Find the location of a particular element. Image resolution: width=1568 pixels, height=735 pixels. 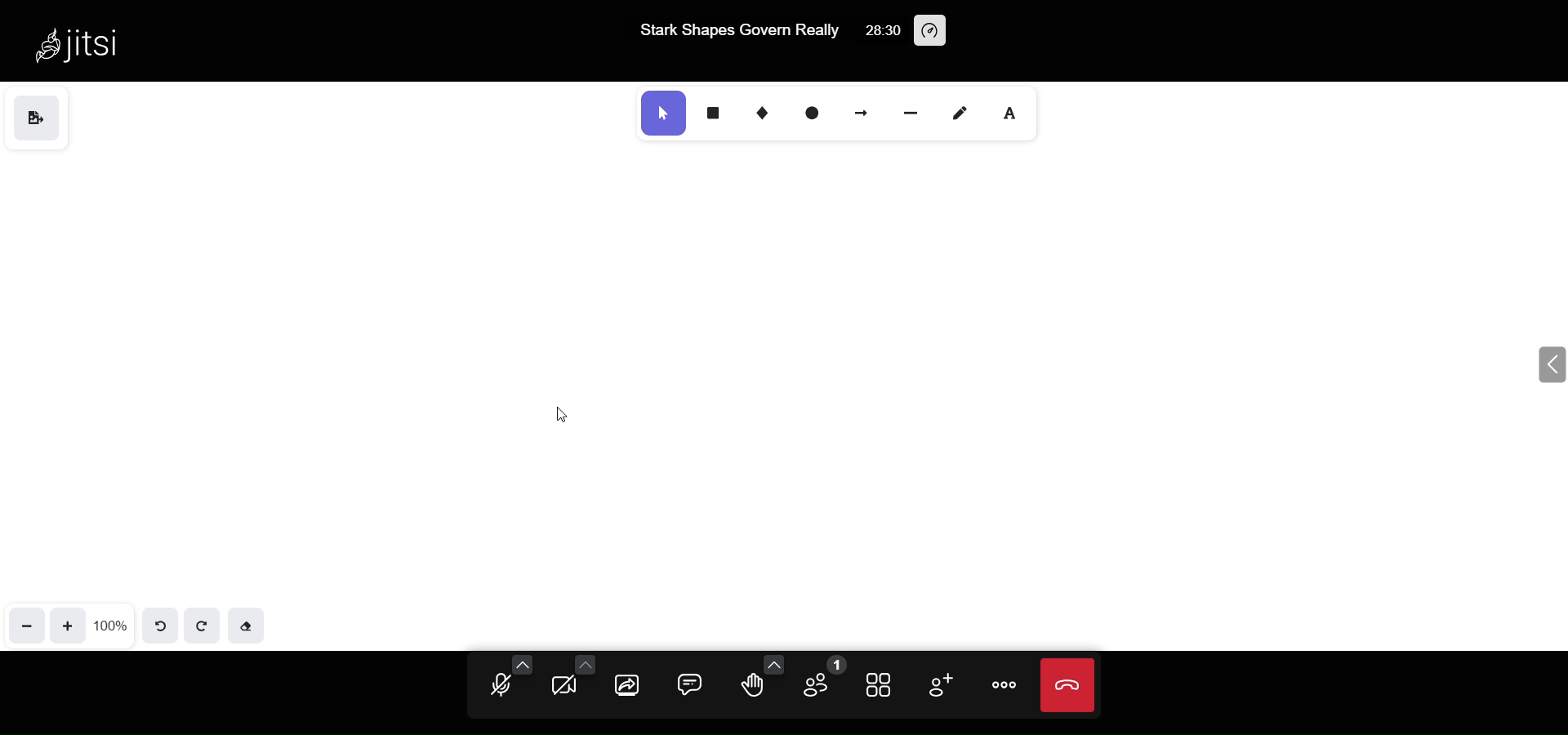

text is located at coordinates (1014, 111).